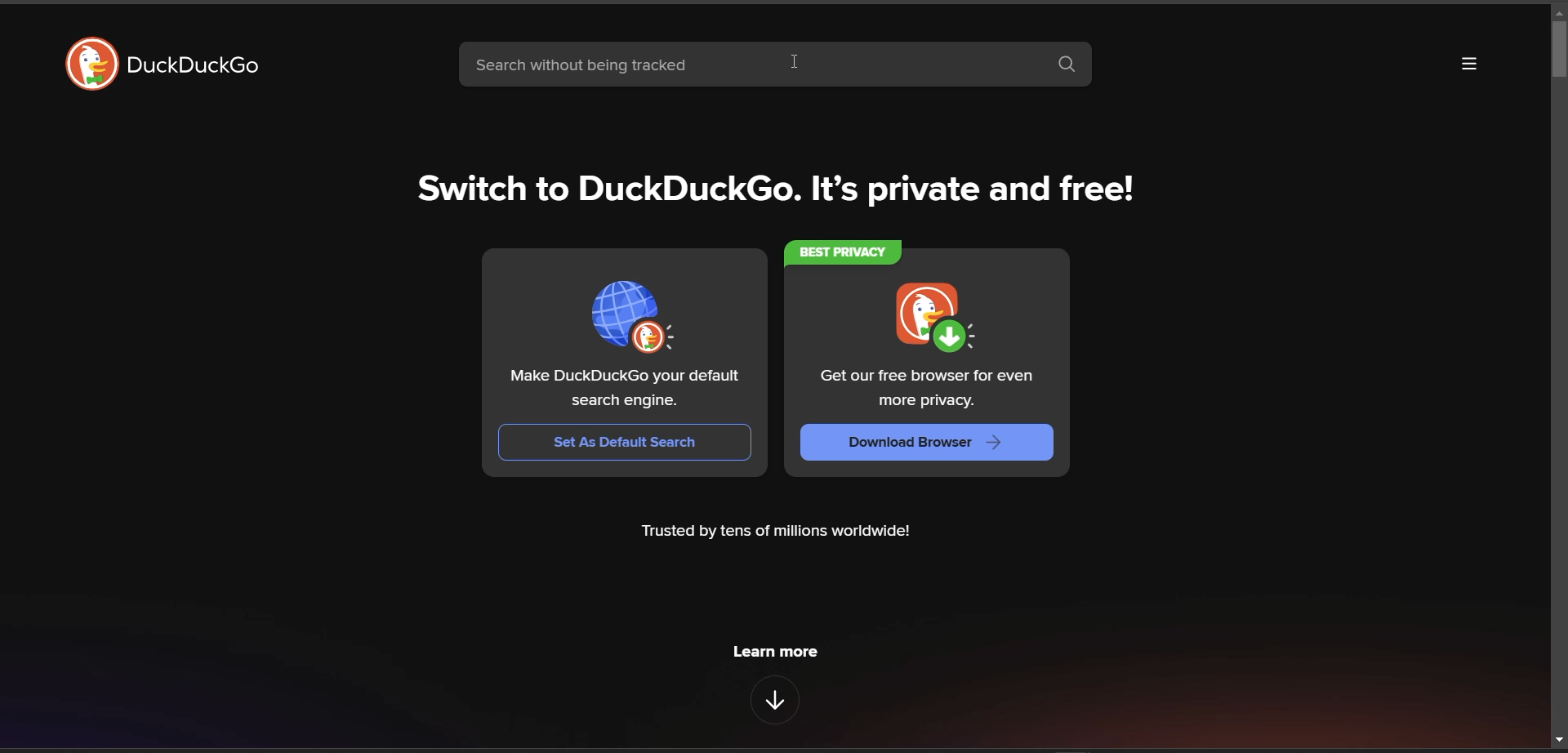 The width and height of the screenshot is (1568, 753). Describe the element at coordinates (779, 699) in the screenshot. I see `features` at that location.